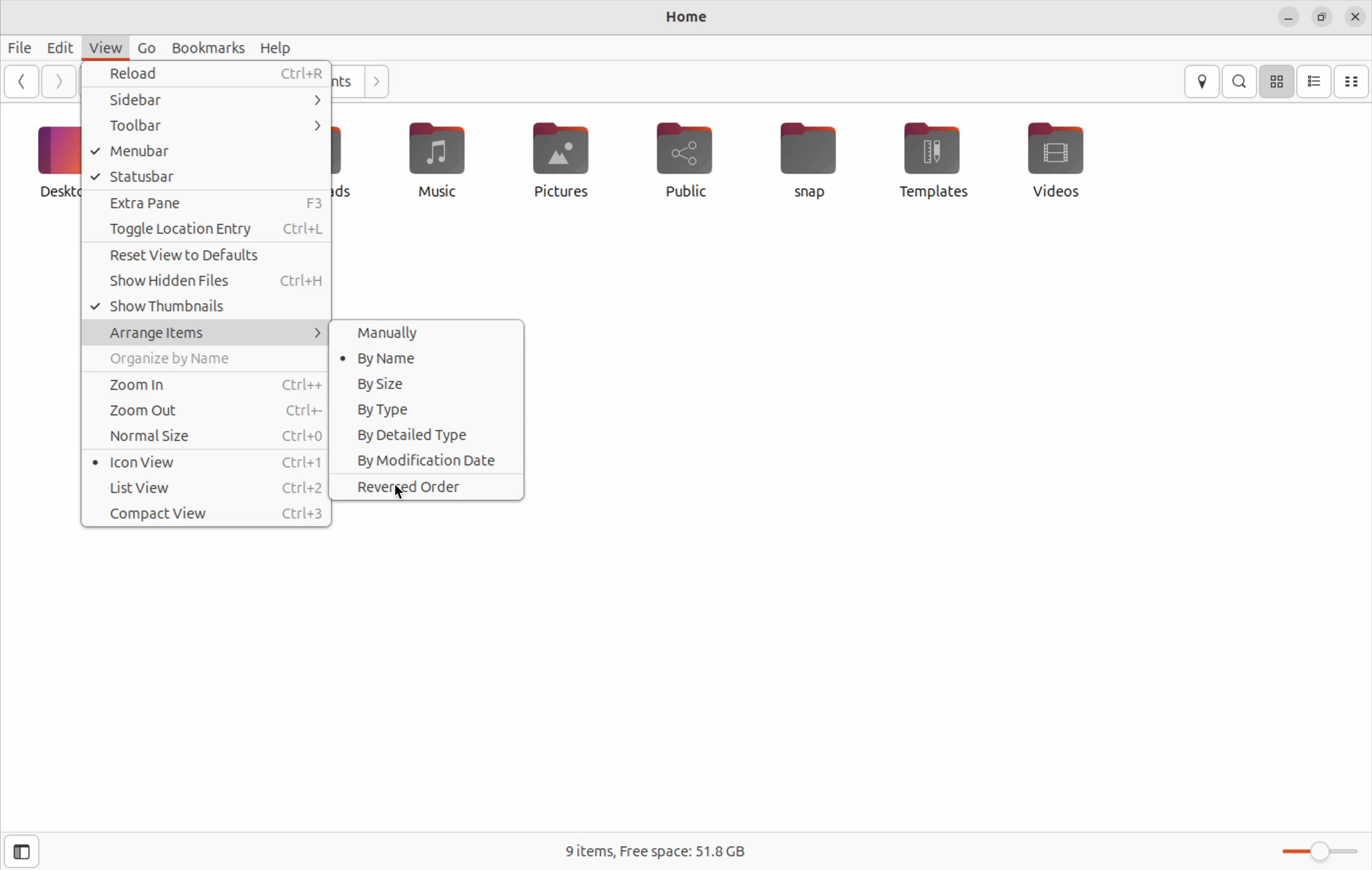  I want to click on snap, so click(809, 160).